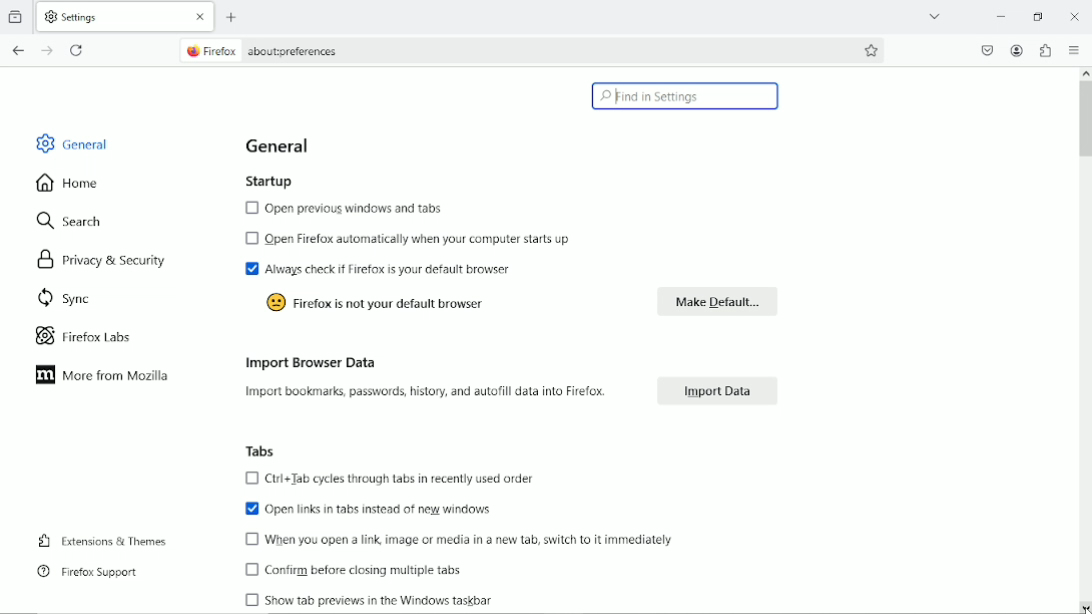 The height and width of the screenshot is (614, 1092). Describe the element at coordinates (342, 210) in the screenshot. I see `open previous windows and tabs` at that location.